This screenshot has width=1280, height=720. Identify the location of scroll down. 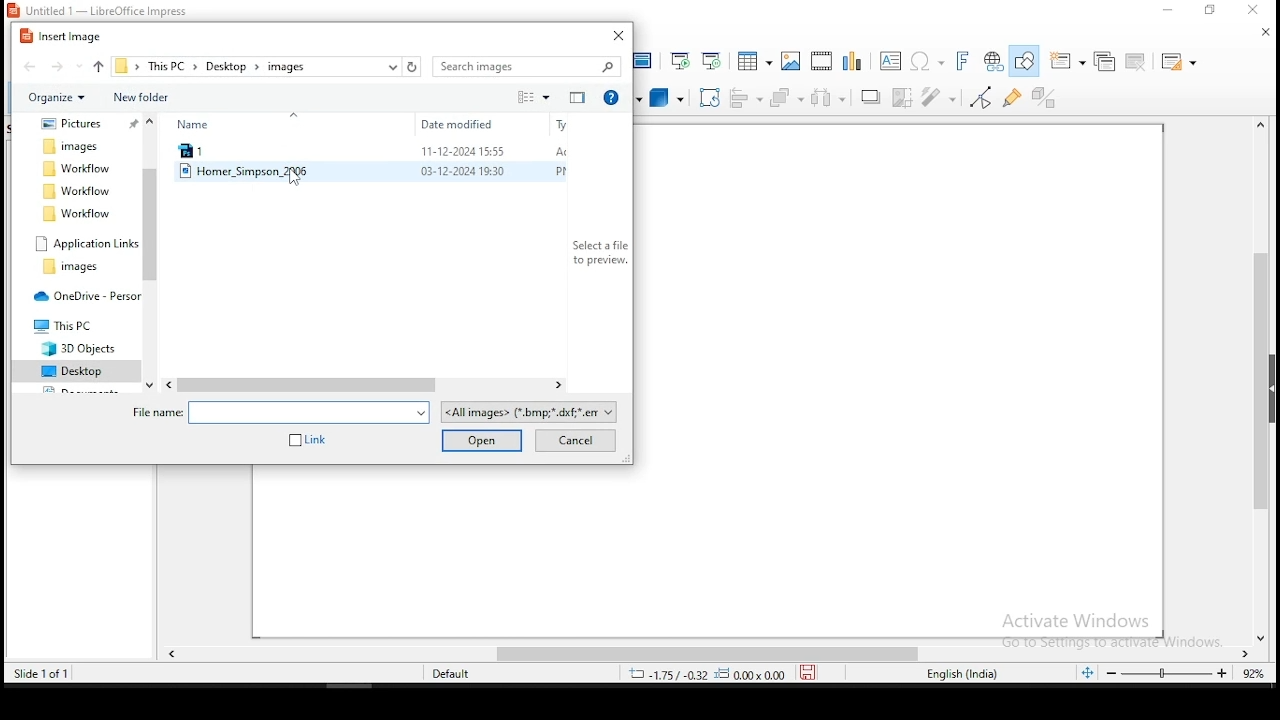
(150, 386).